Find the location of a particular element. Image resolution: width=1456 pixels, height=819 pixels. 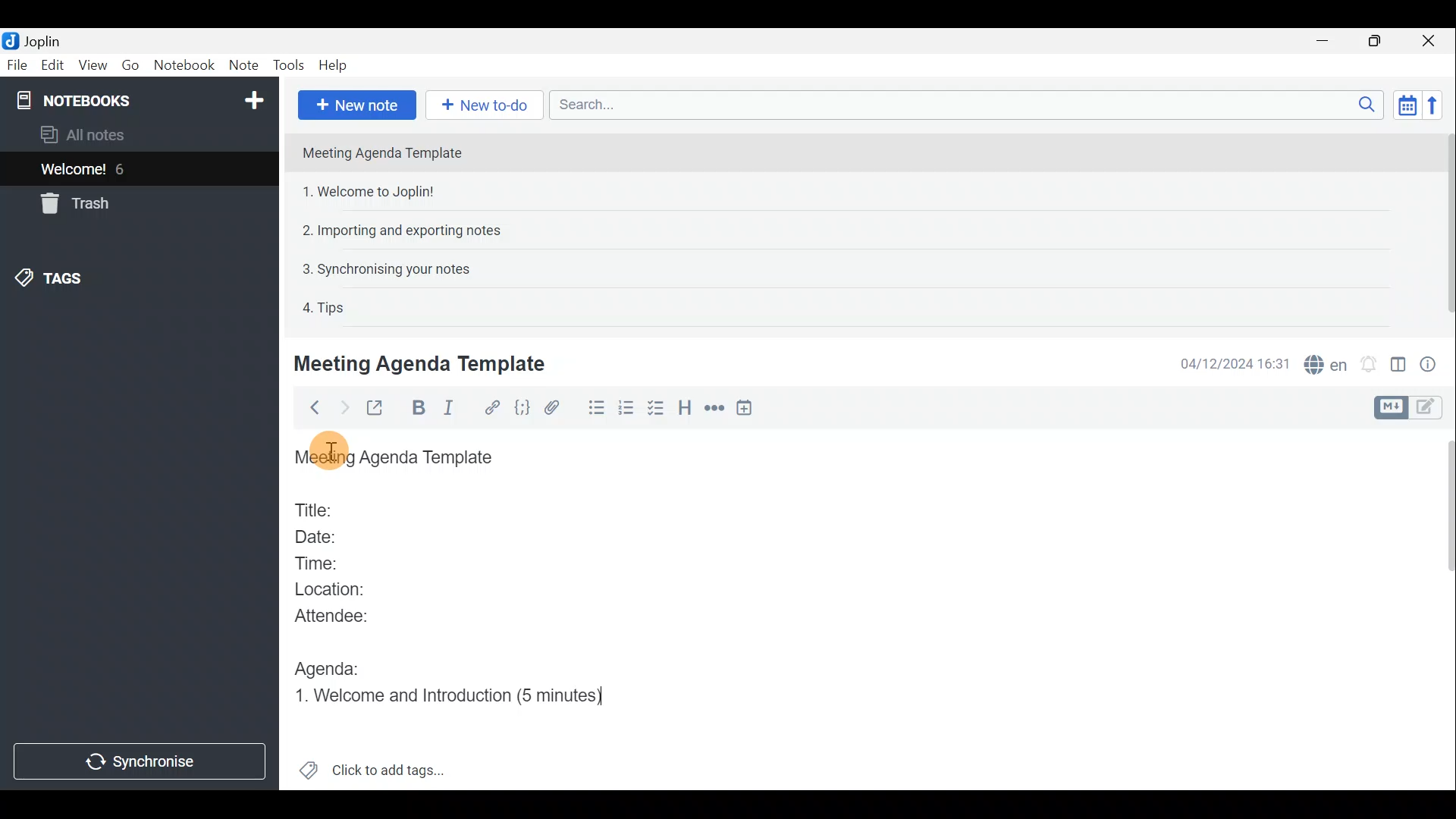

File is located at coordinates (17, 64).